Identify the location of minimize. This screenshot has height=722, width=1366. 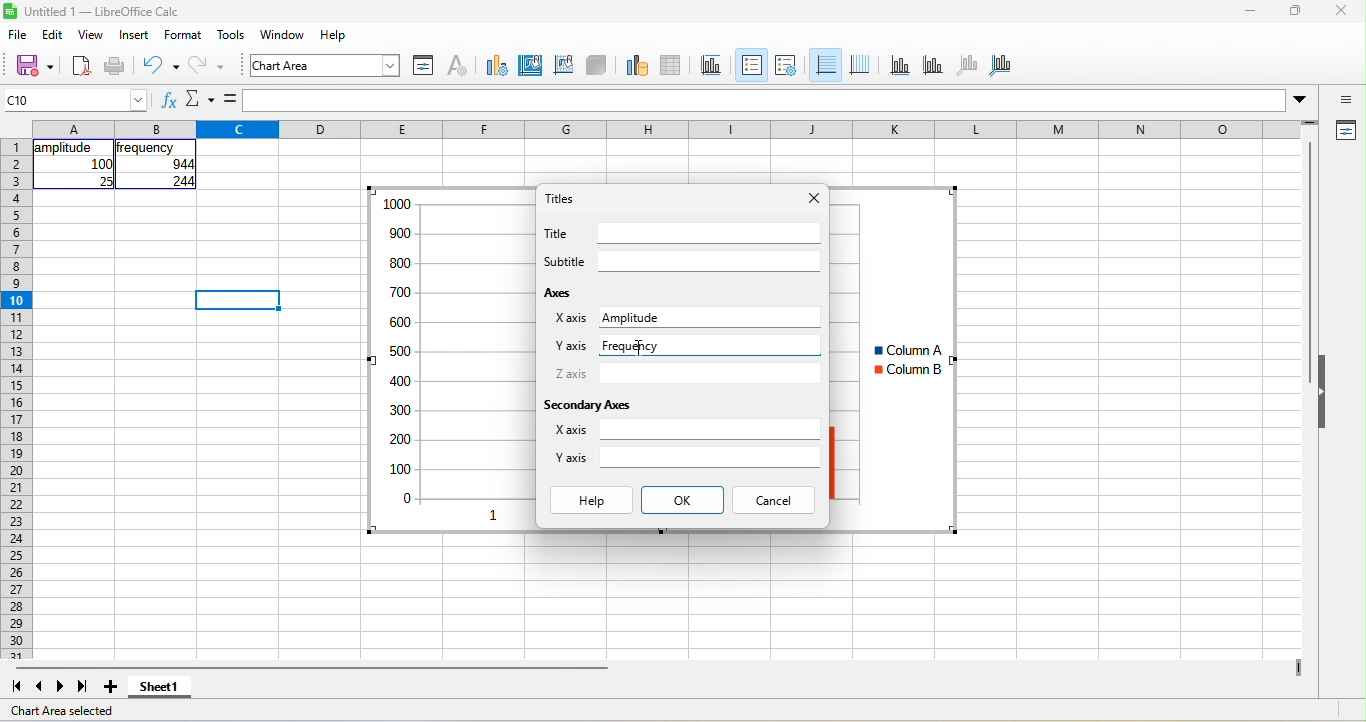
(1250, 10).